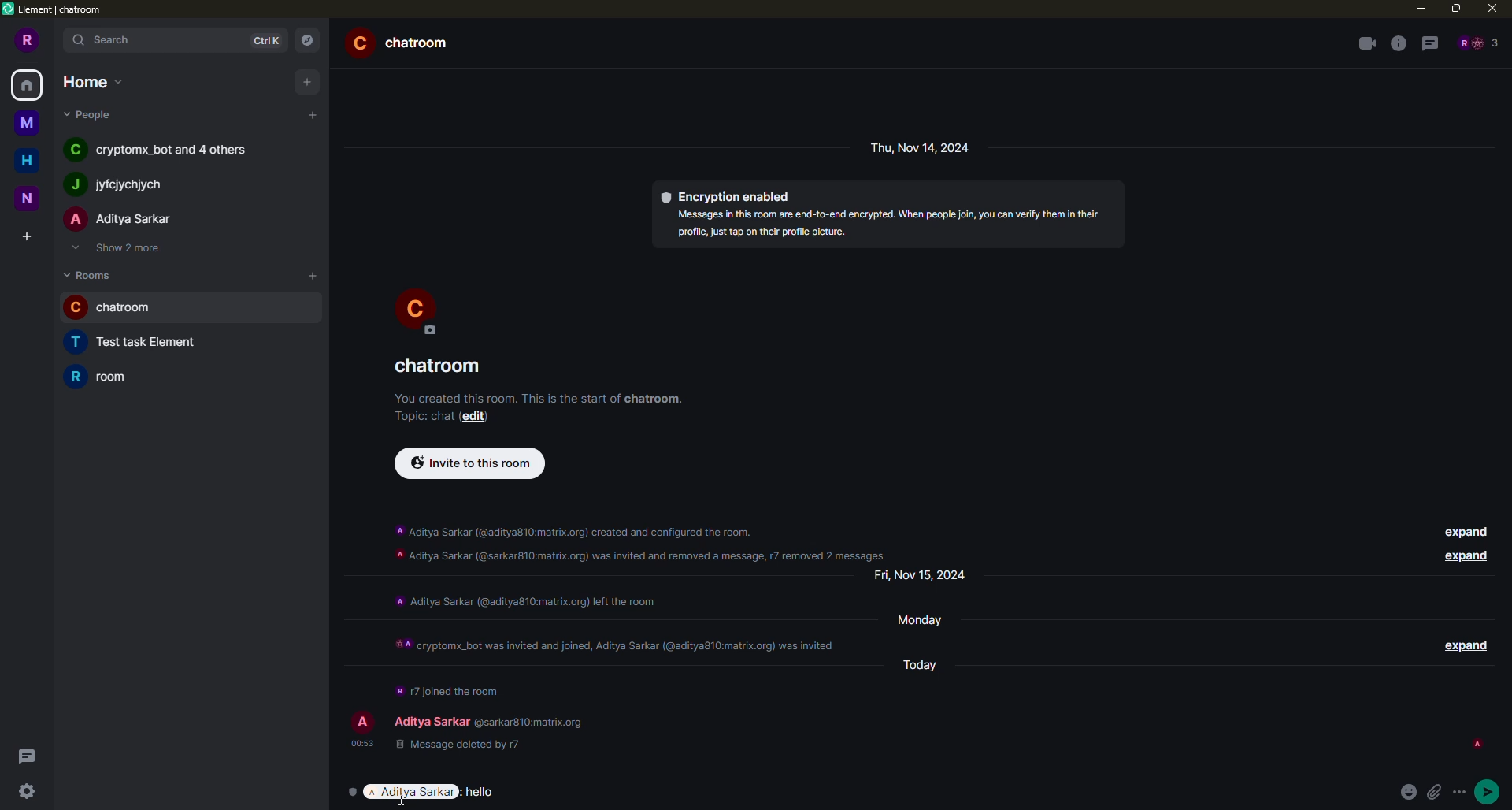 The height and width of the screenshot is (810, 1512). What do you see at coordinates (1417, 8) in the screenshot?
I see `minimize` at bounding box center [1417, 8].